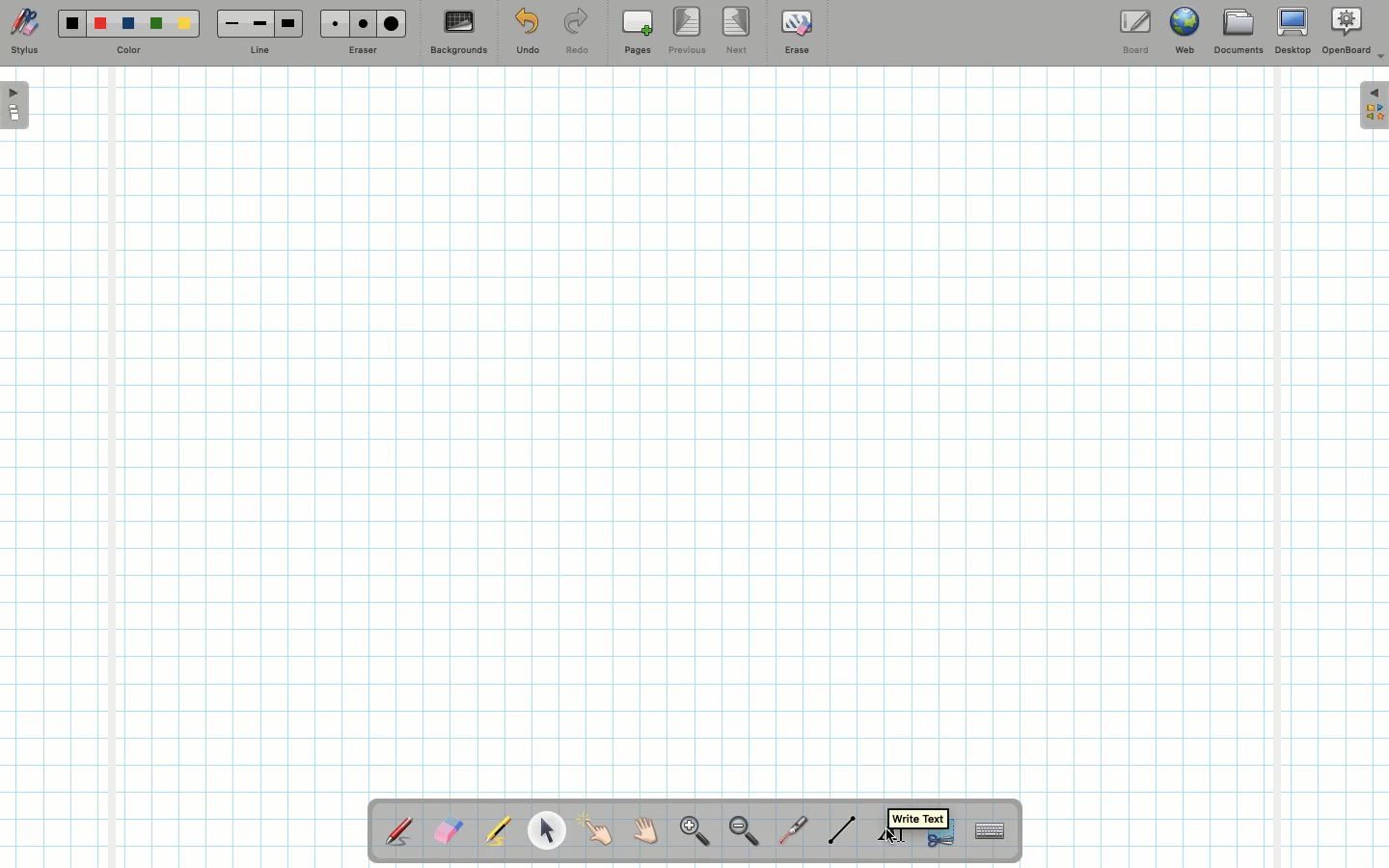 The height and width of the screenshot is (868, 1389). I want to click on Erase, so click(796, 31).